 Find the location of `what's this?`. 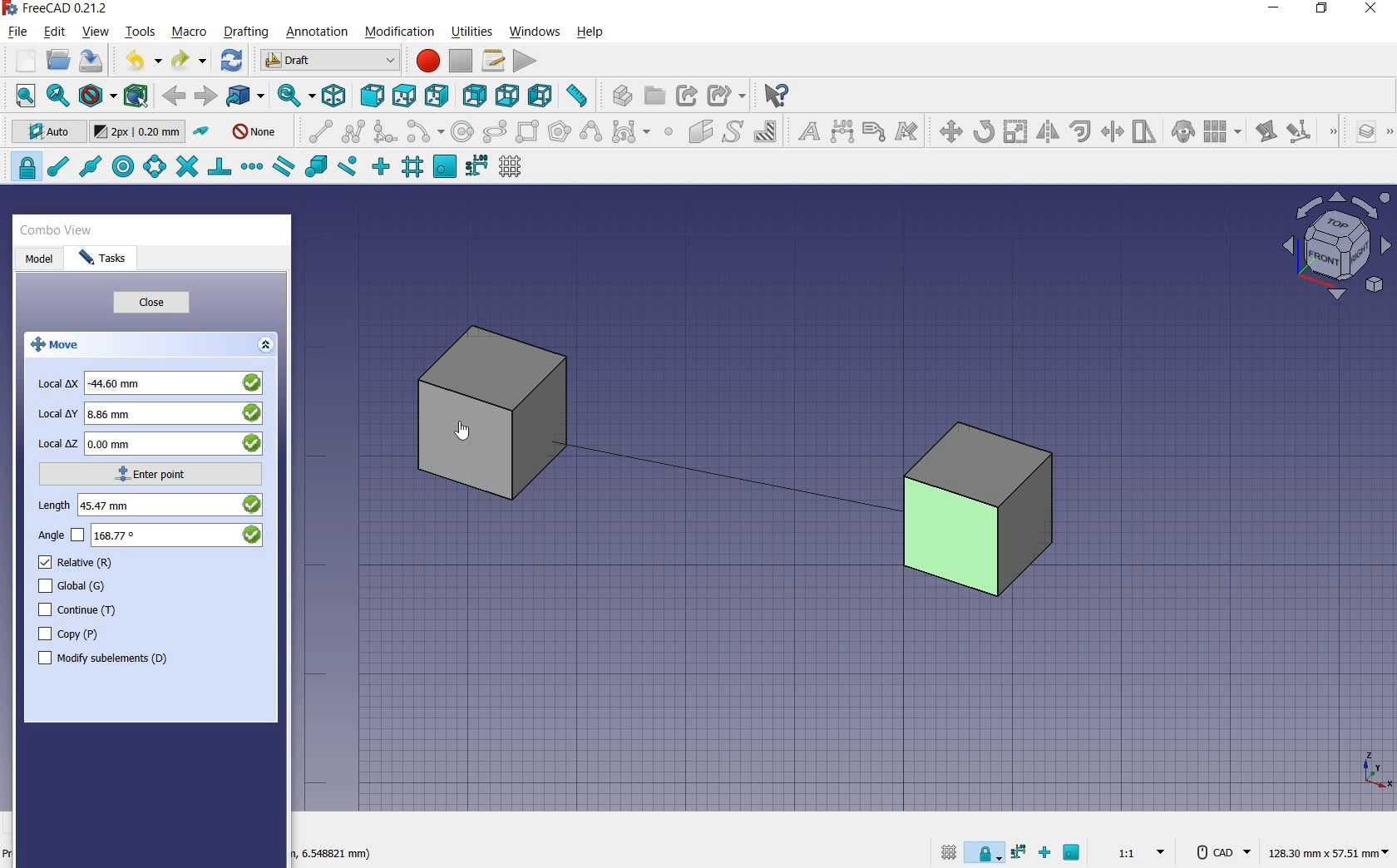

what's this? is located at coordinates (774, 96).